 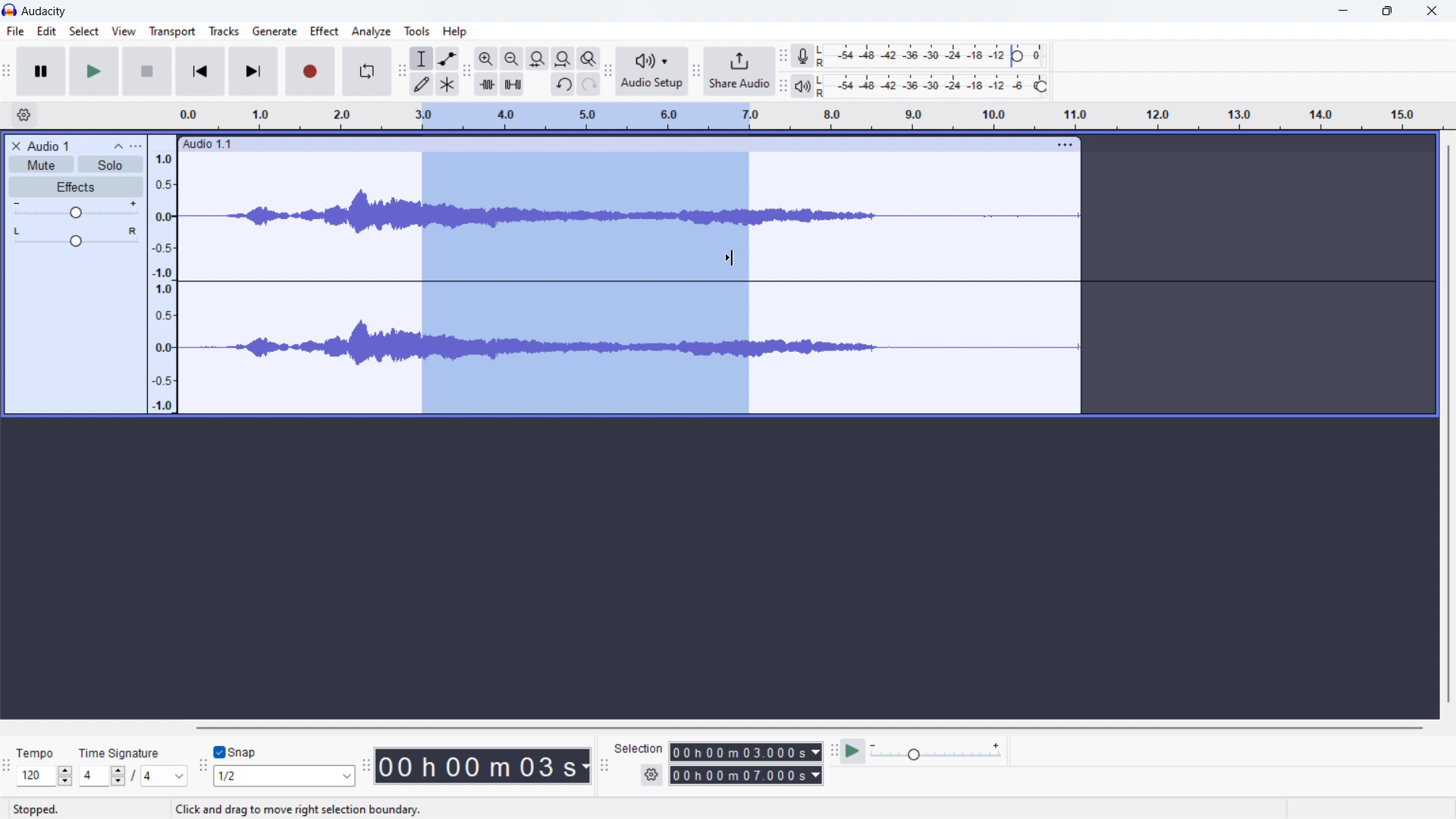 What do you see at coordinates (422, 85) in the screenshot?
I see `draw tool` at bounding box center [422, 85].